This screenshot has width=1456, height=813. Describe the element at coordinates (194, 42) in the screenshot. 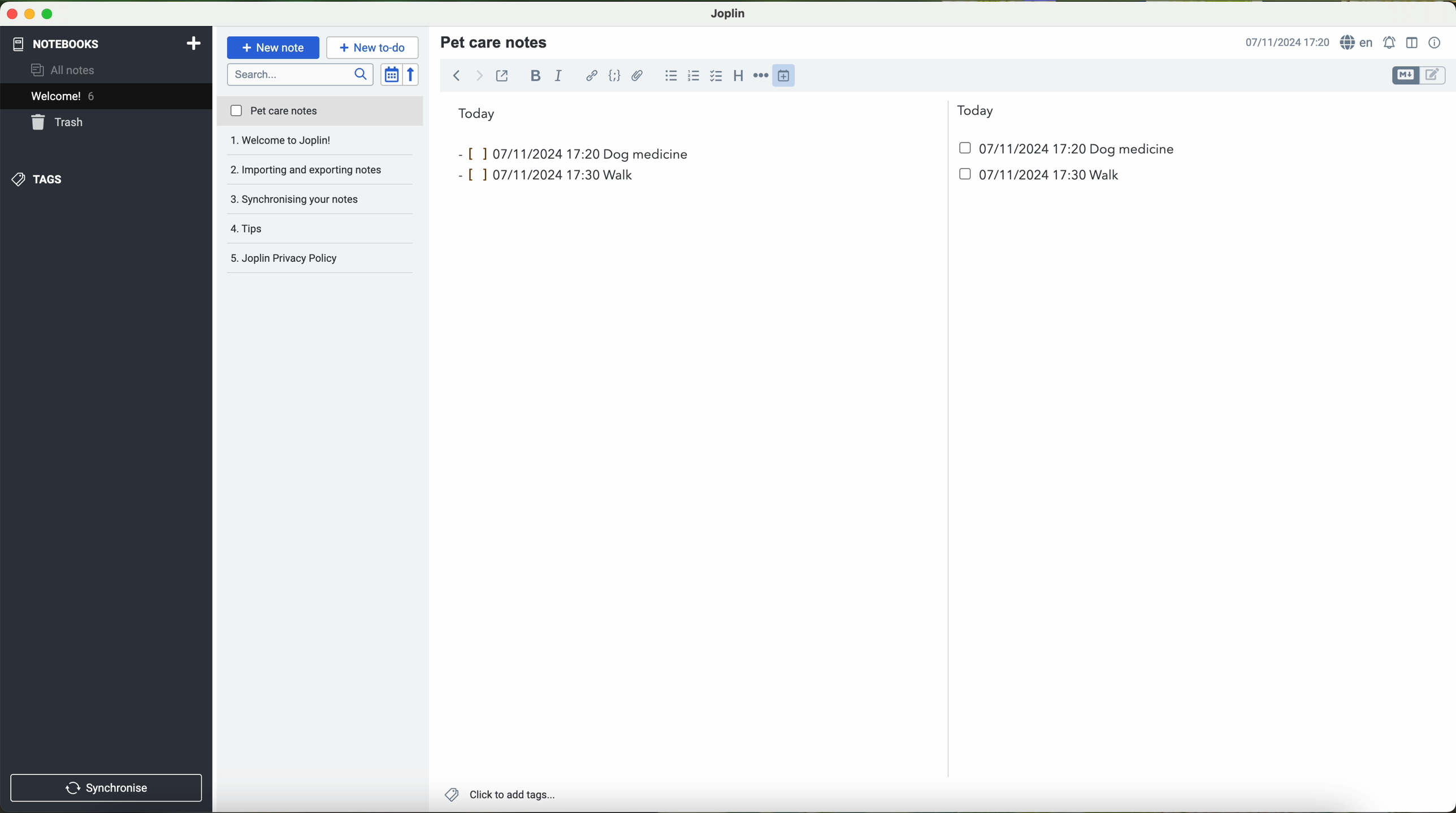

I see `add` at that location.